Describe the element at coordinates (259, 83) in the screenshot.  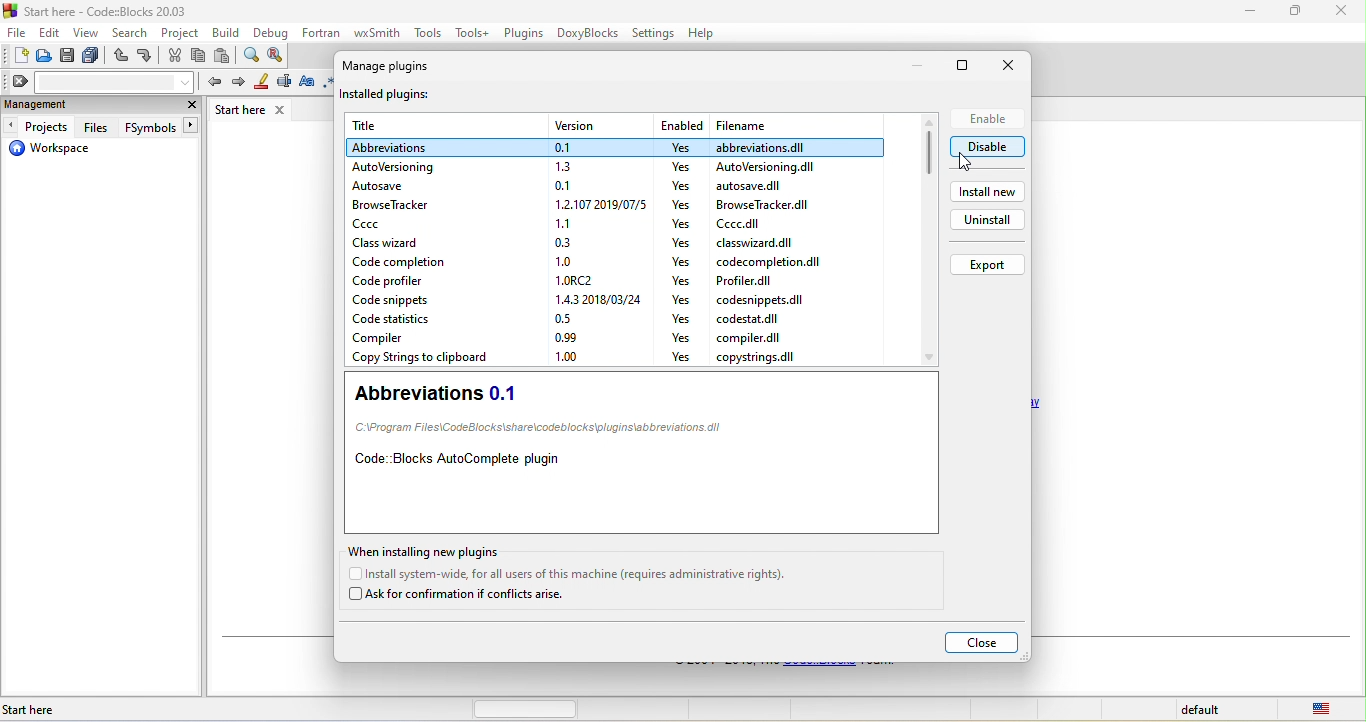
I see `highlight` at that location.